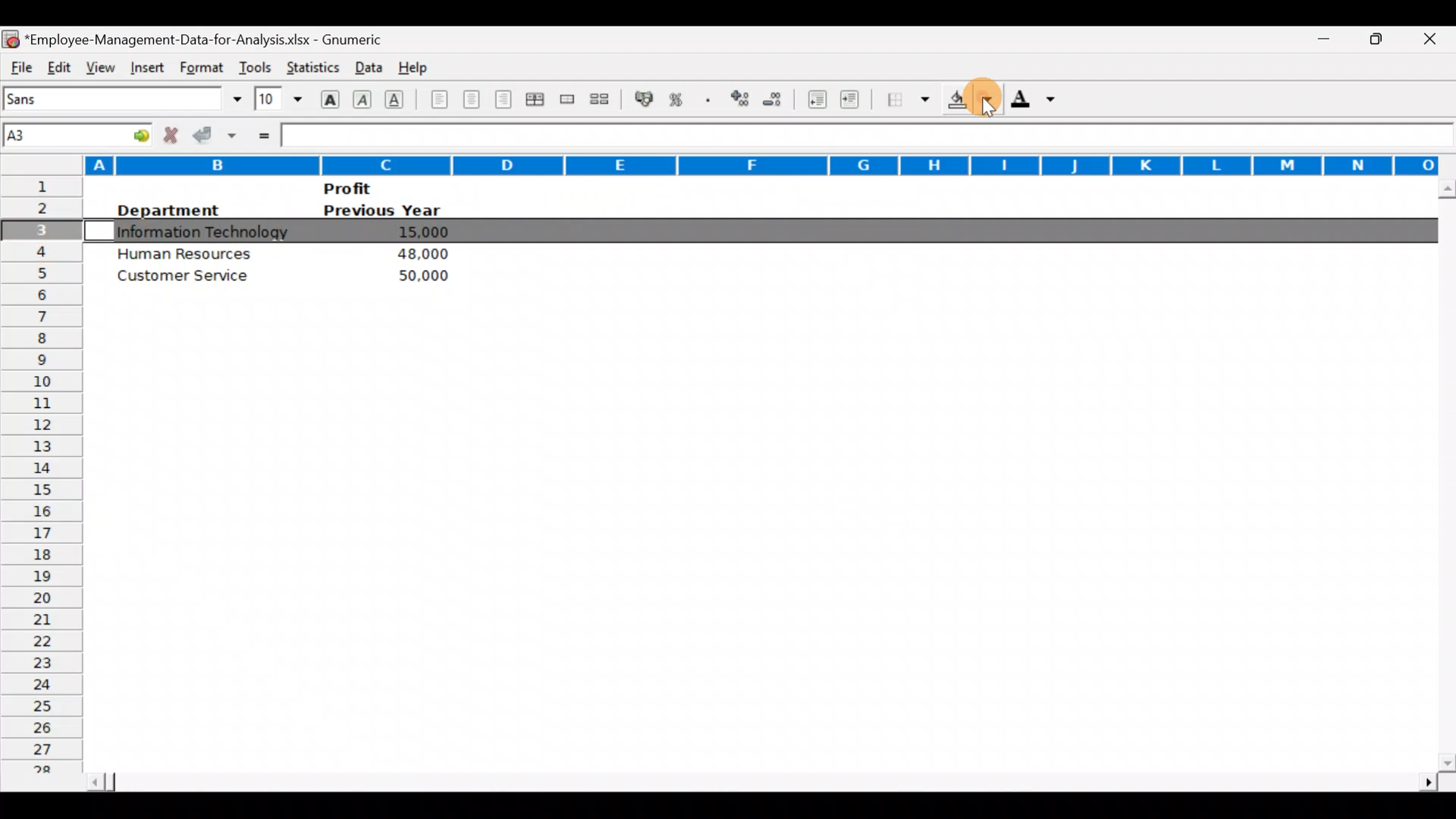 The width and height of the screenshot is (1456, 819). What do you see at coordinates (262, 134) in the screenshot?
I see `Enter formula` at bounding box center [262, 134].